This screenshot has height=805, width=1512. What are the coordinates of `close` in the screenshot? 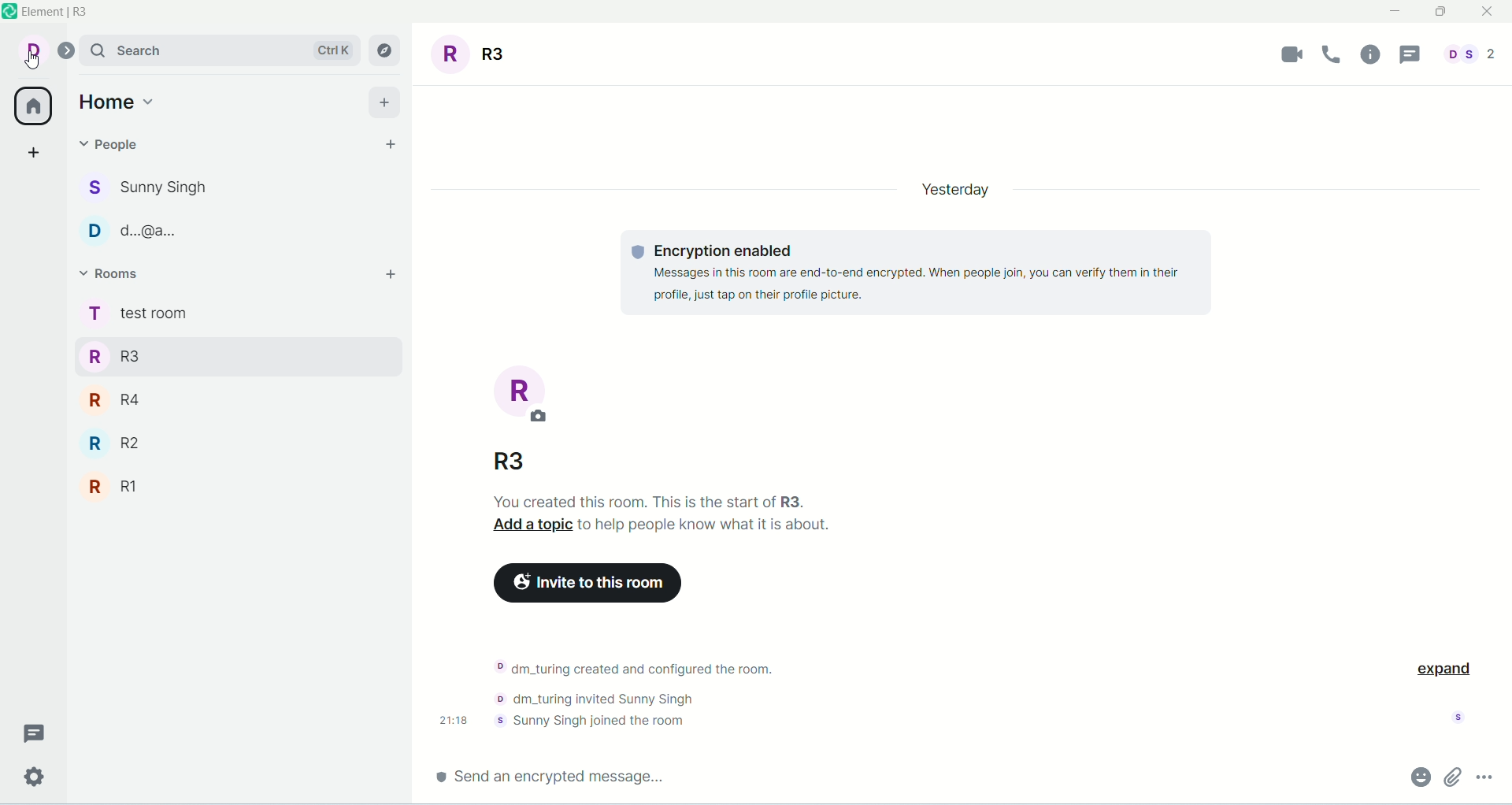 It's located at (1489, 13).